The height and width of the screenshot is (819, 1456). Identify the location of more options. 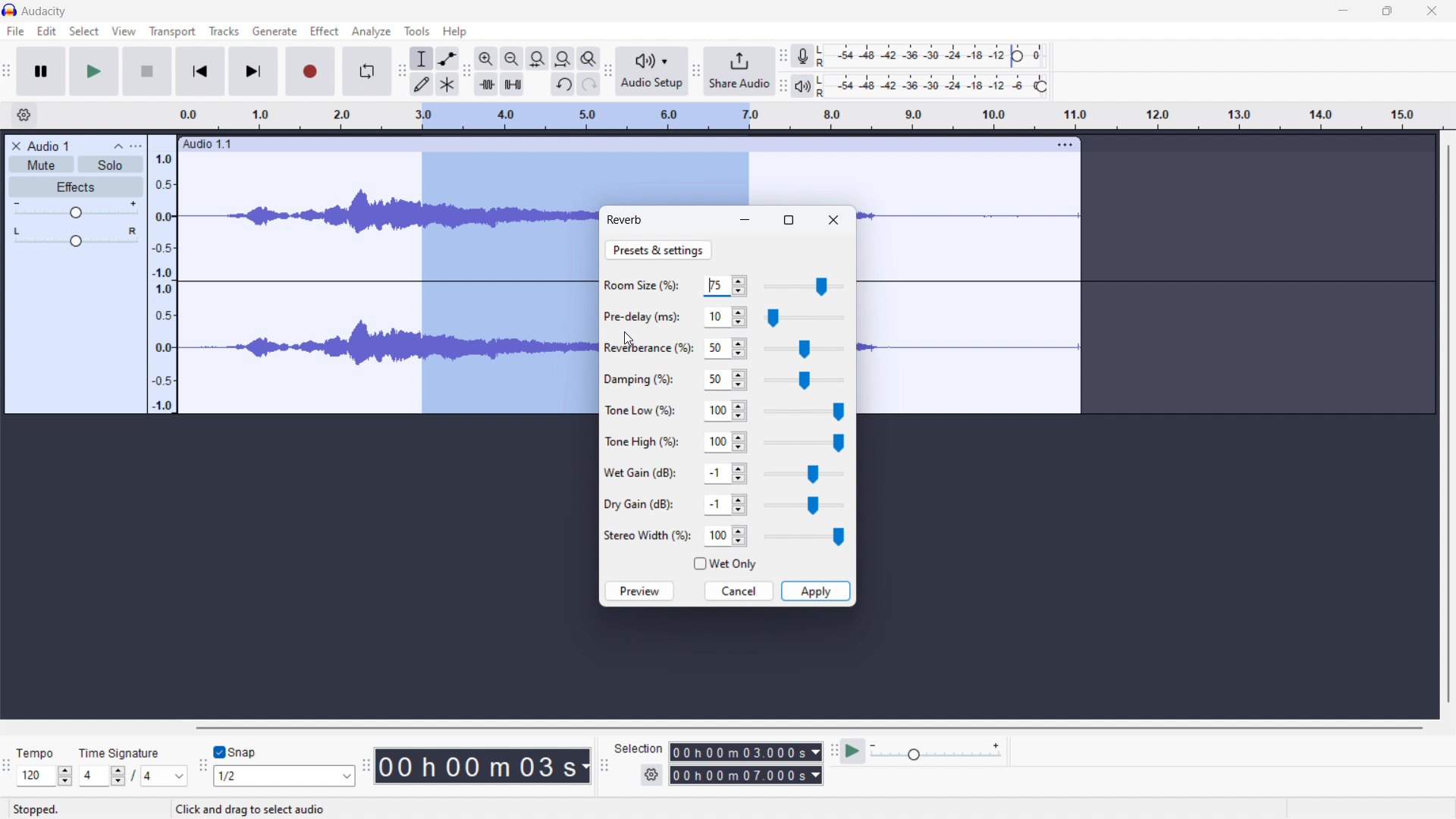
(1066, 146).